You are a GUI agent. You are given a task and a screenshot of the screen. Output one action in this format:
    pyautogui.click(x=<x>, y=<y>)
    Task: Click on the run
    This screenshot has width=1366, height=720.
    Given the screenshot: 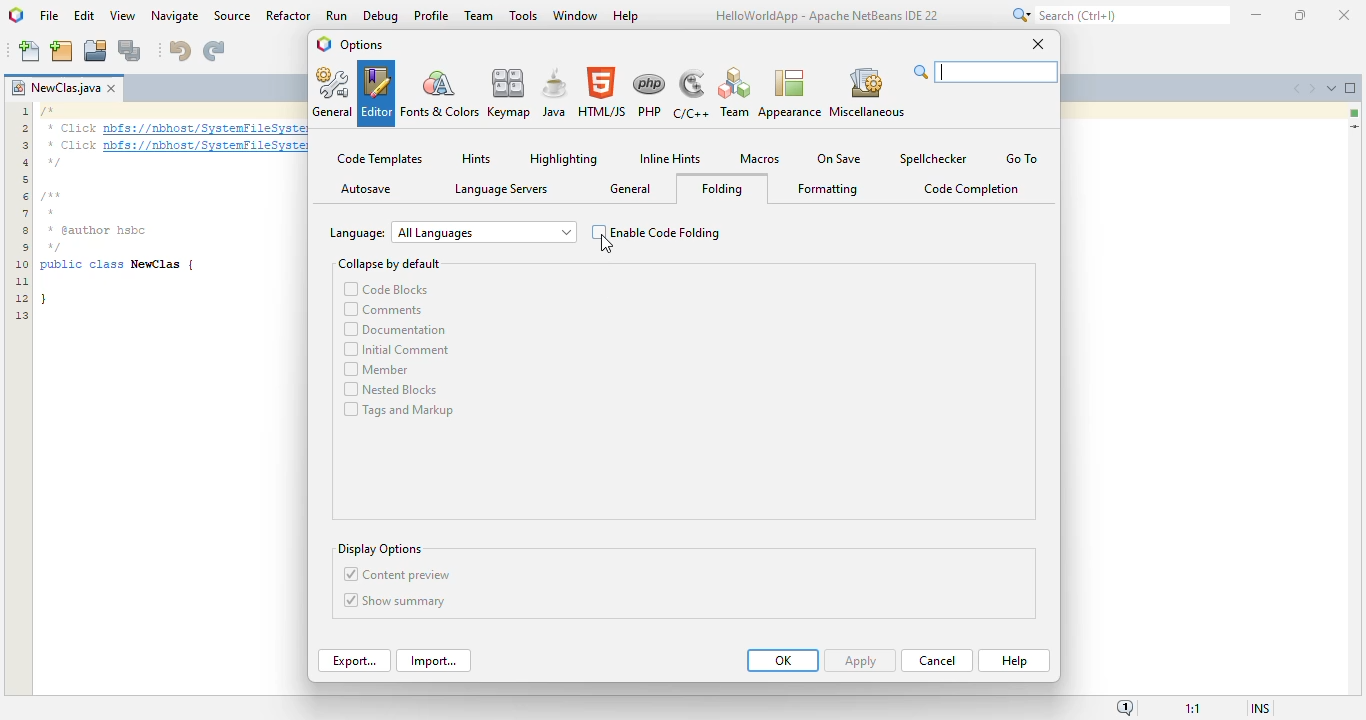 What is the action you would take?
    pyautogui.click(x=336, y=15)
    